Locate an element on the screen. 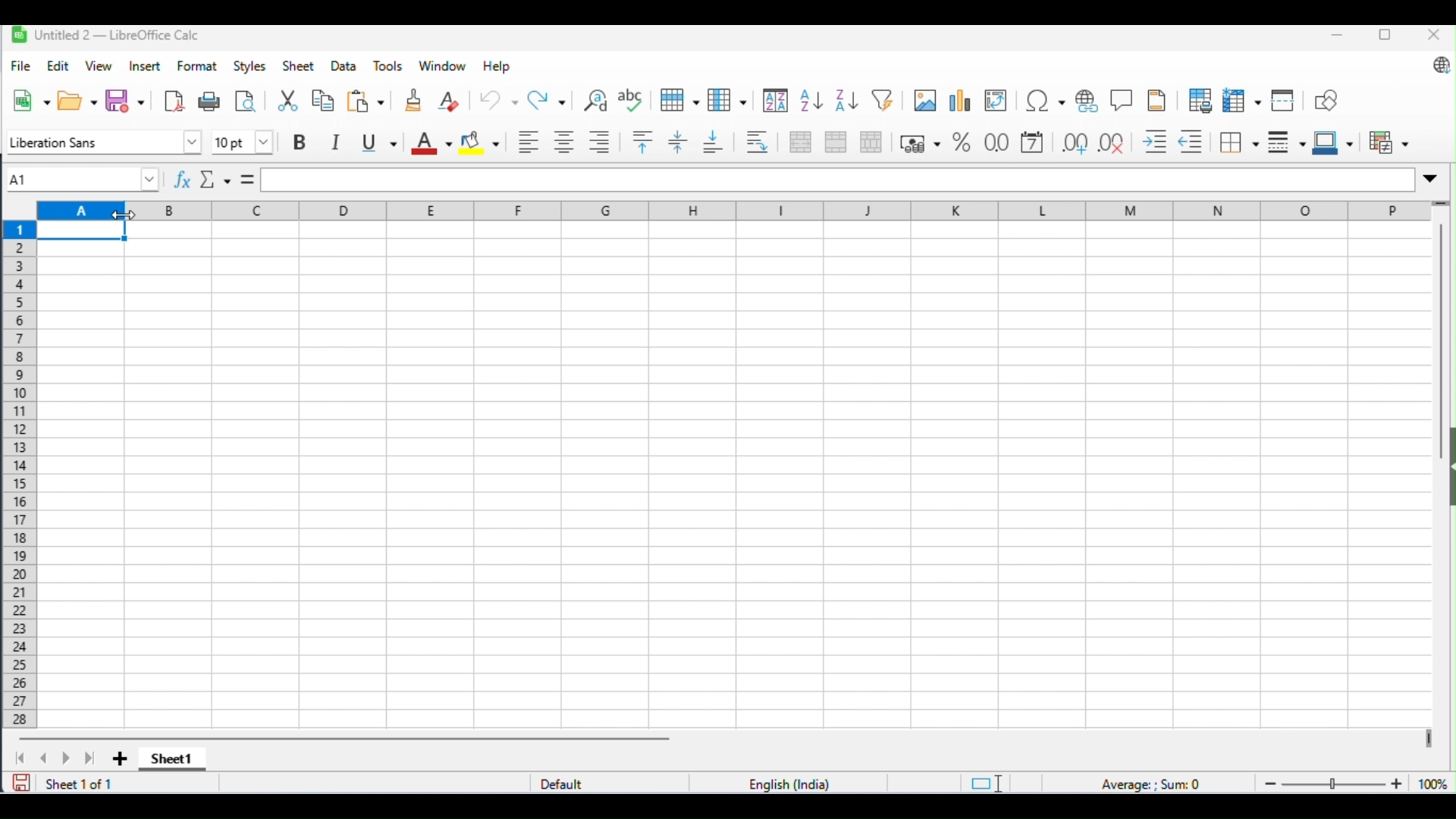  clear direct formatting is located at coordinates (450, 99).